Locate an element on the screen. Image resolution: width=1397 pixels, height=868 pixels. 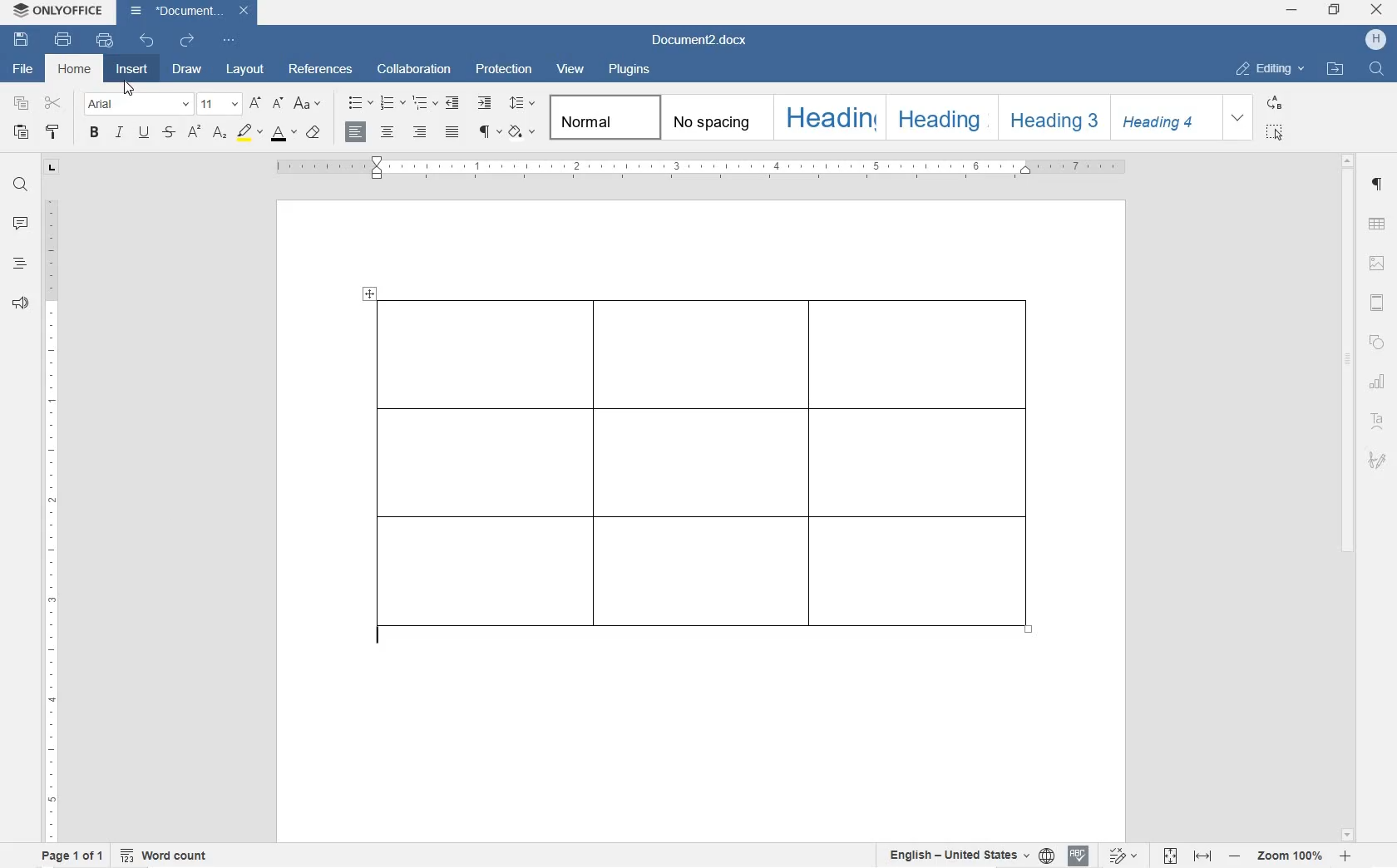
EDITING is located at coordinates (1271, 68).